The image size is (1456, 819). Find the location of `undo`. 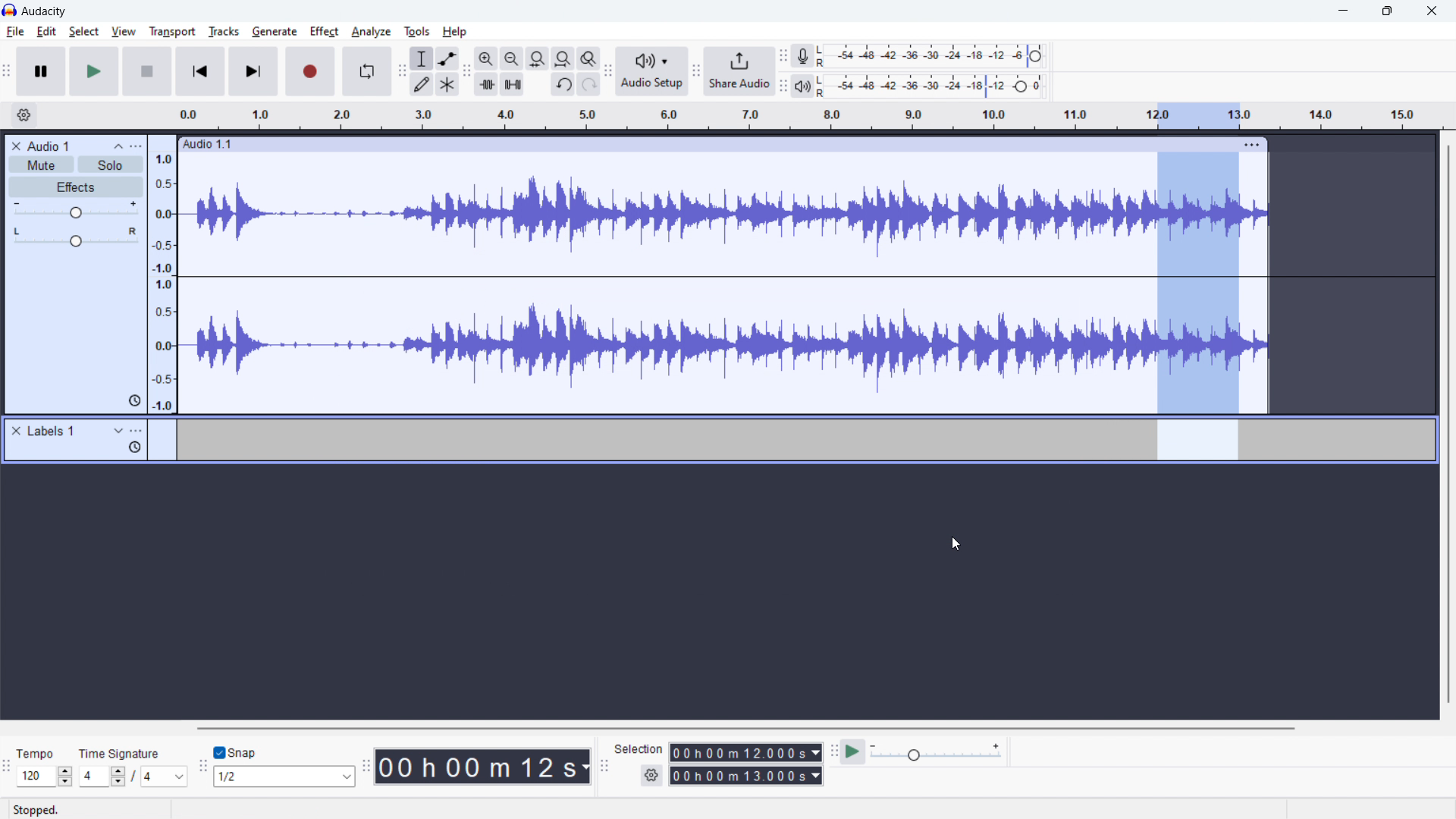

undo is located at coordinates (589, 84).